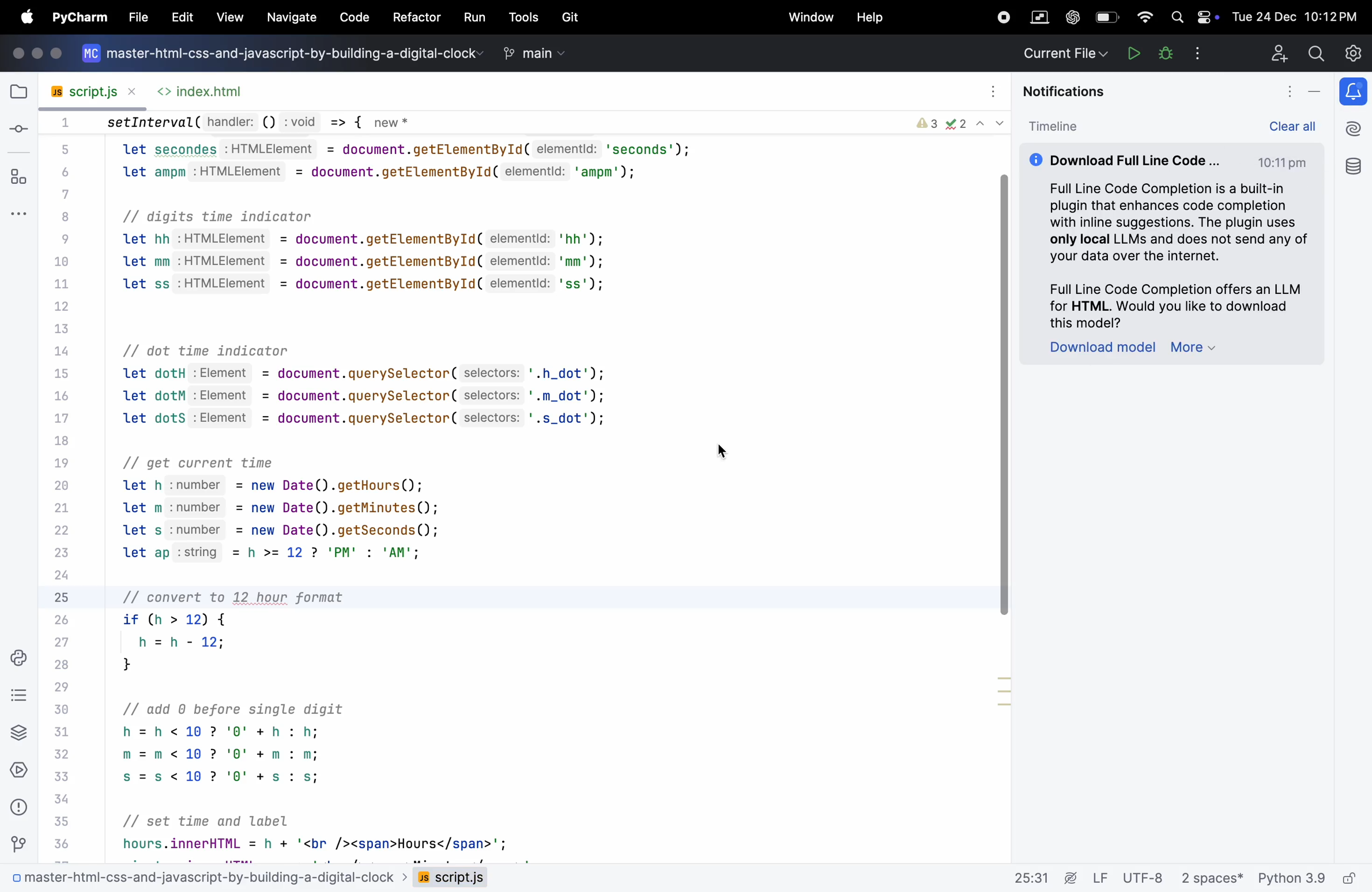 Image resolution: width=1372 pixels, height=892 pixels. What do you see at coordinates (19, 127) in the screenshot?
I see `commit` at bounding box center [19, 127].